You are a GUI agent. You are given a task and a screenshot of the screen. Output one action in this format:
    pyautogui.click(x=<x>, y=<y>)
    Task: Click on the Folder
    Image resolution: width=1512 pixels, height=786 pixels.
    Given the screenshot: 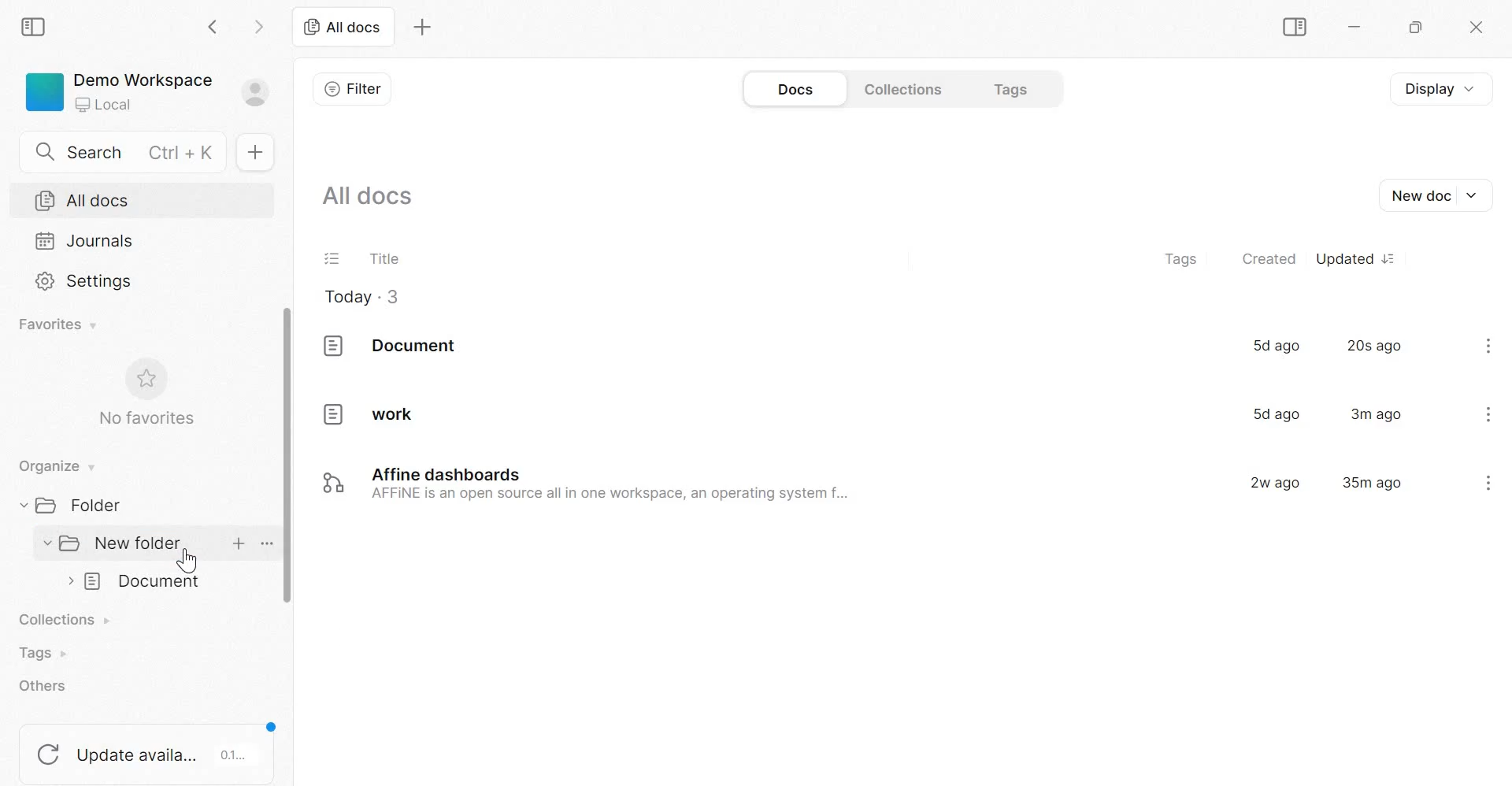 What is the action you would take?
    pyautogui.click(x=77, y=506)
    